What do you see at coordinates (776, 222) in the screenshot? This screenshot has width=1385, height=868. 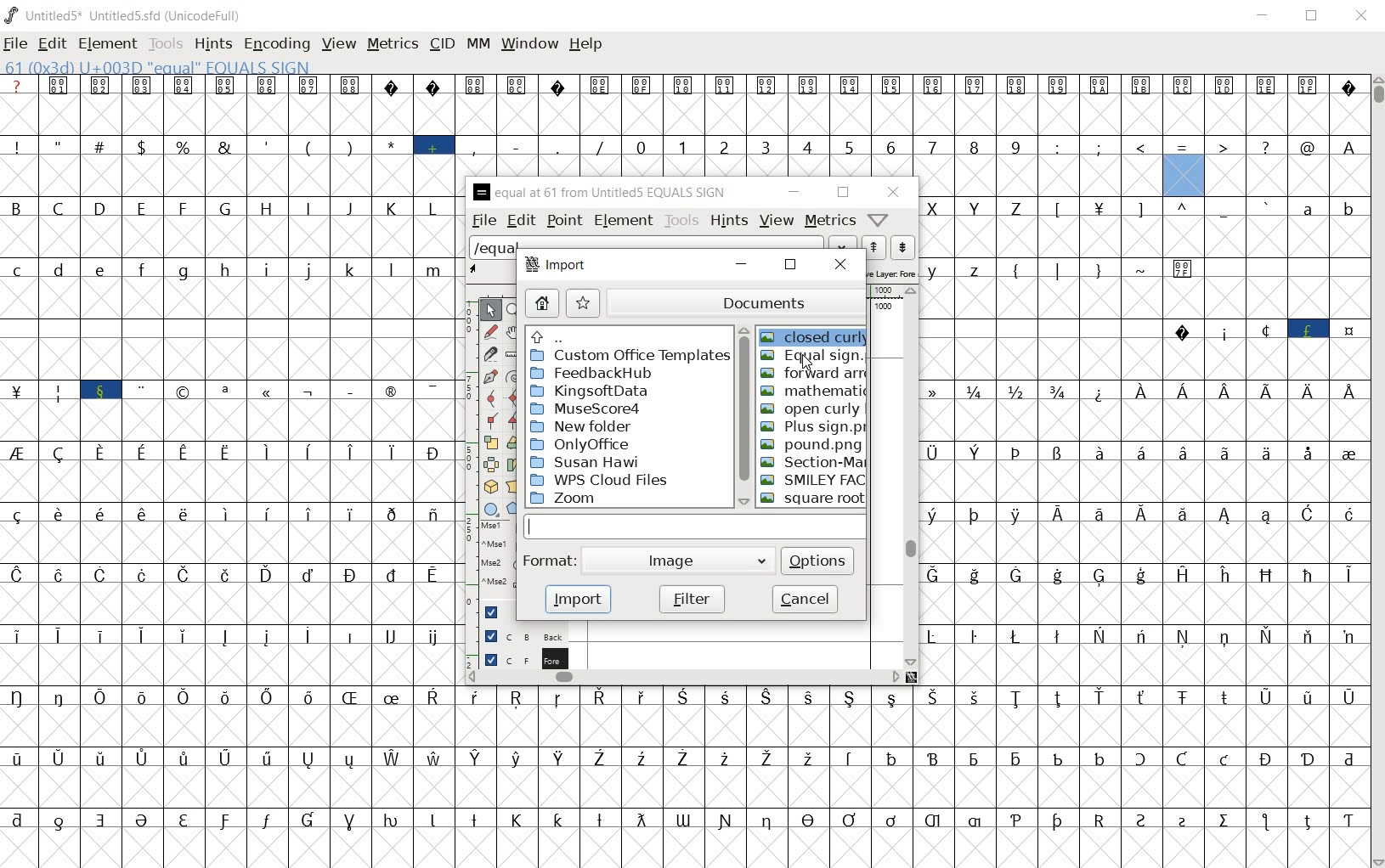 I see `view` at bounding box center [776, 222].